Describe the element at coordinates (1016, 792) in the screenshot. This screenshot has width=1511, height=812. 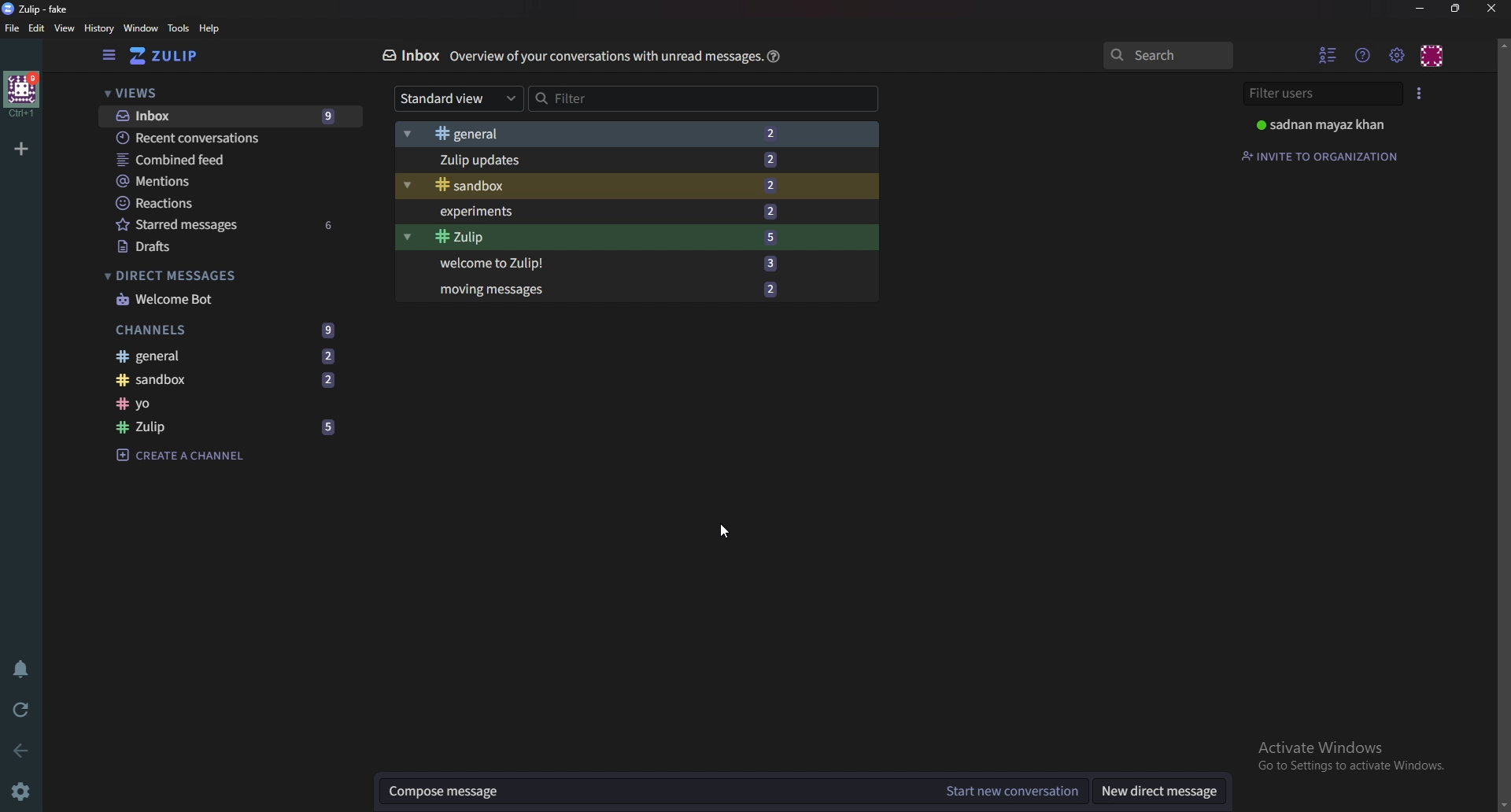
I see `Start new conversation` at that location.